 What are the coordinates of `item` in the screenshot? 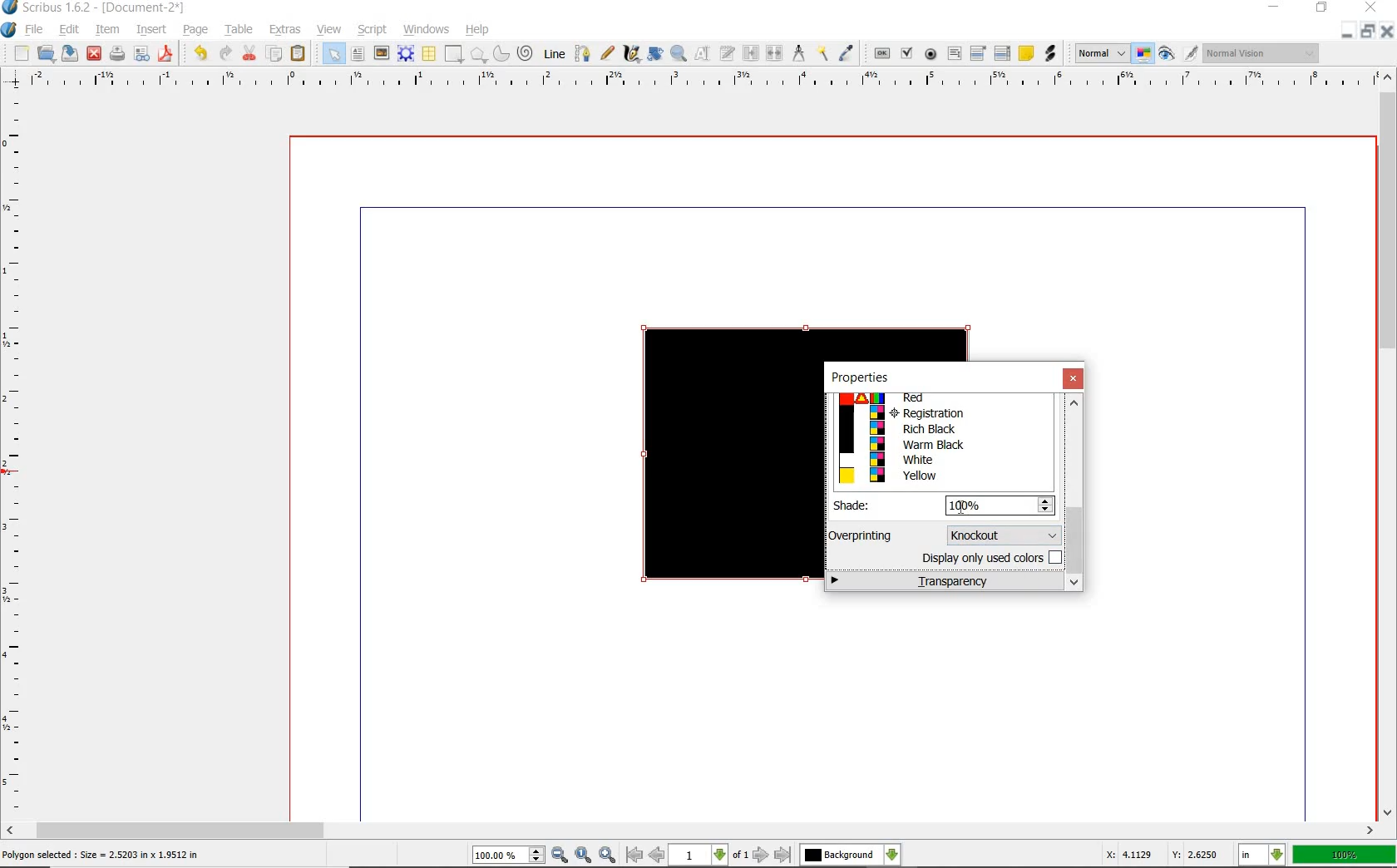 It's located at (109, 29).